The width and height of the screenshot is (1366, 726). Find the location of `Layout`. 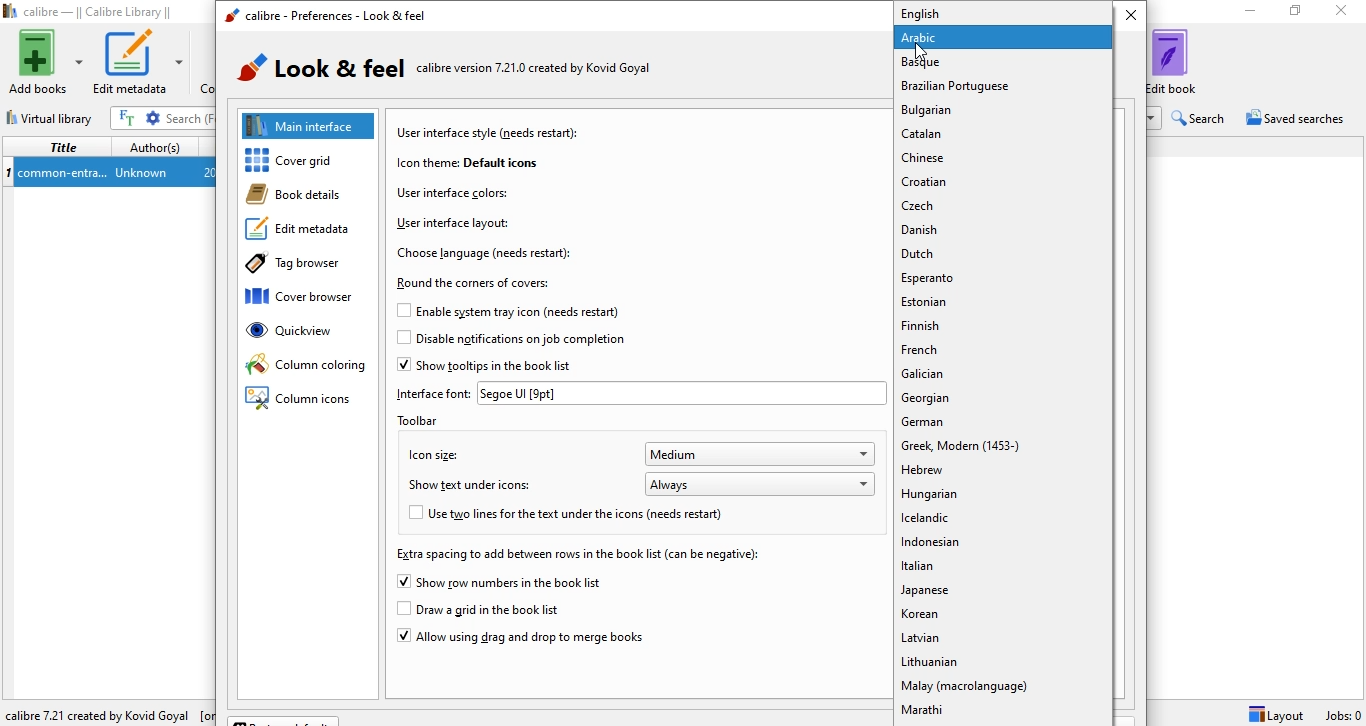

Layout is located at coordinates (1276, 714).